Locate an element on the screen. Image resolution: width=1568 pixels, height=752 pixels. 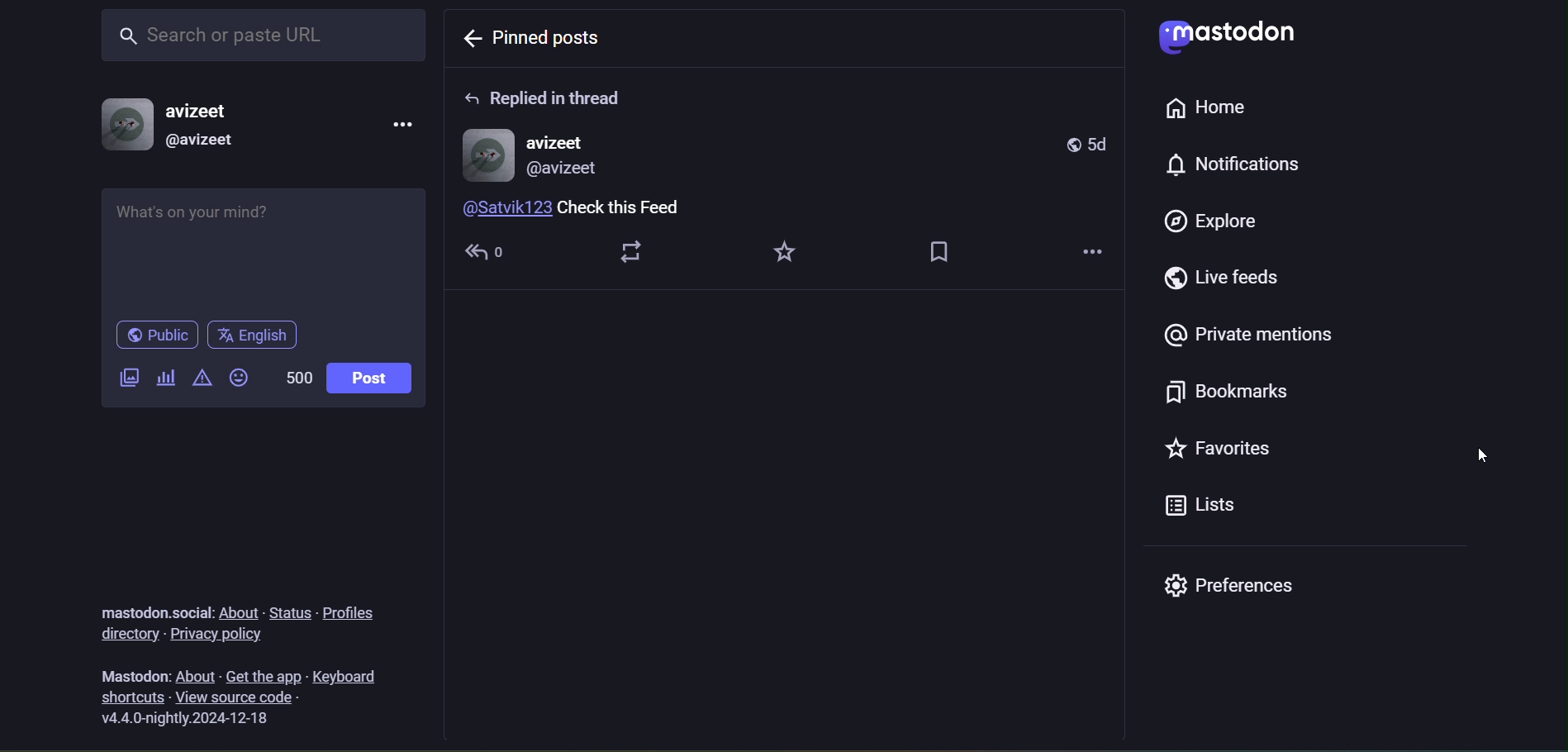
bookmarks is located at coordinates (1222, 391).